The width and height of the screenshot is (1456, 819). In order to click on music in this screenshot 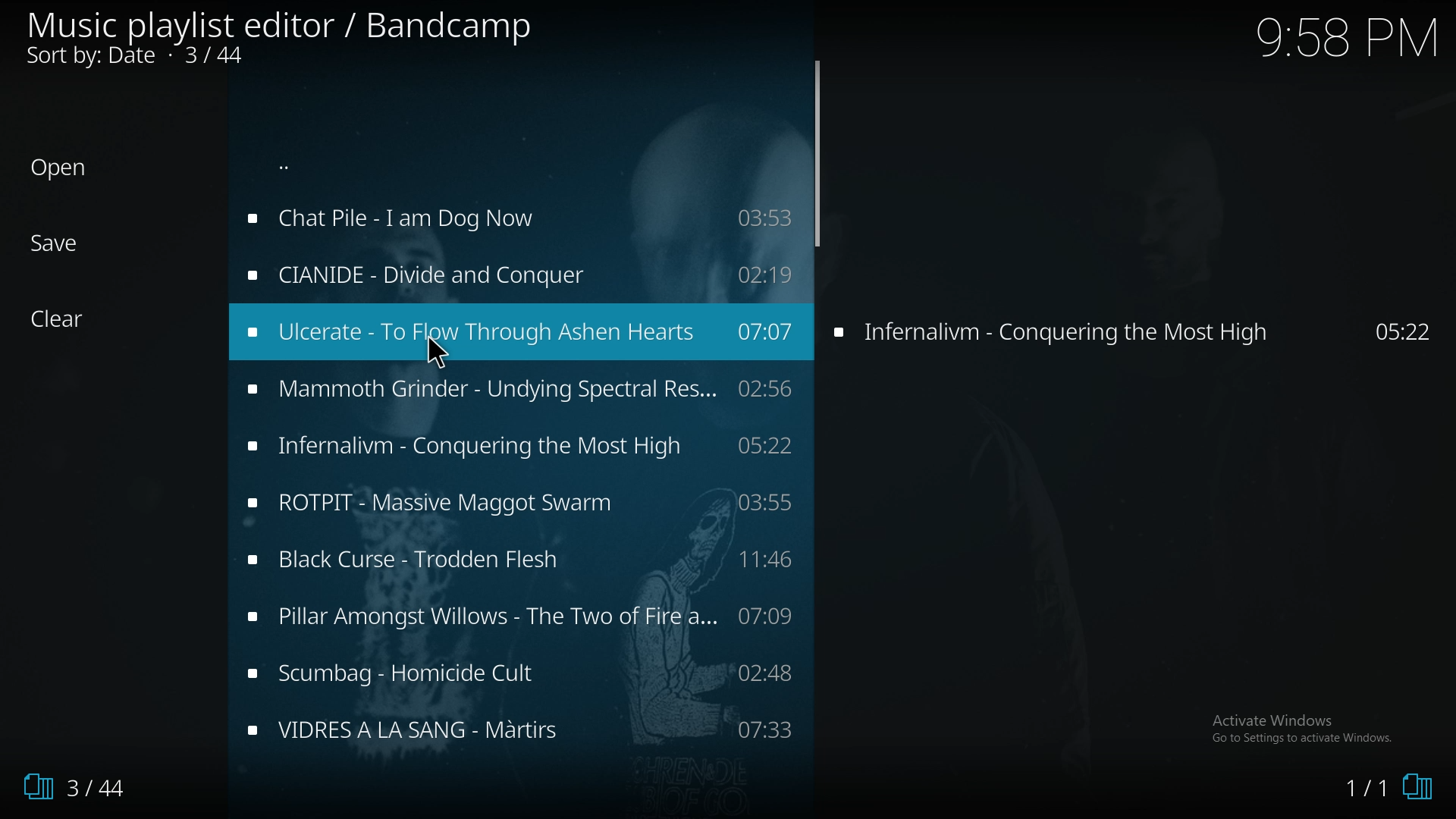, I will do `click(521, 331)`.